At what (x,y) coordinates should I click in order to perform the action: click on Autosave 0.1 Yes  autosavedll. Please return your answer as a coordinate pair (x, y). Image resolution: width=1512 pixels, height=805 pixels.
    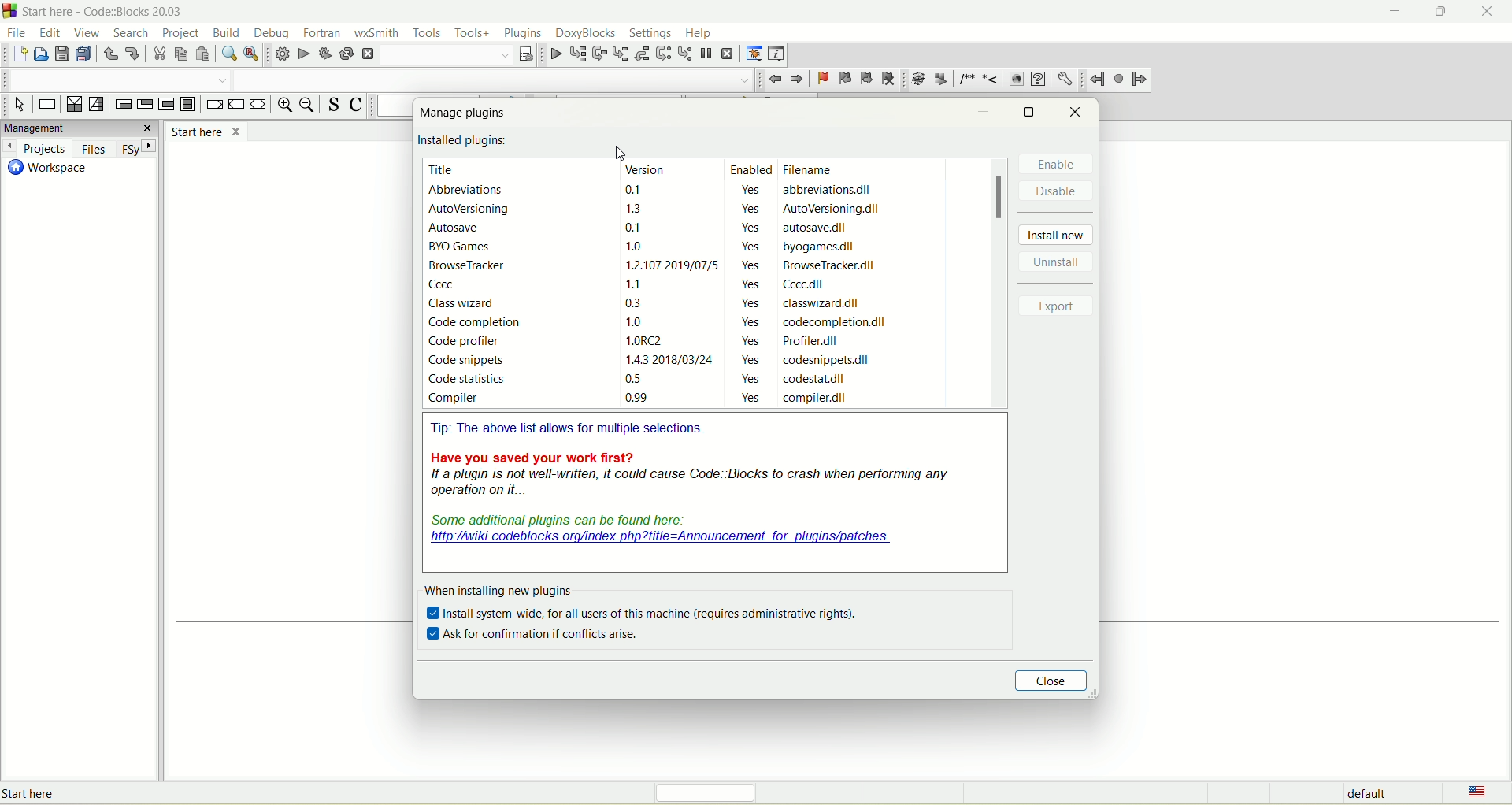
    Looking at the image, I should click on (641, 229).